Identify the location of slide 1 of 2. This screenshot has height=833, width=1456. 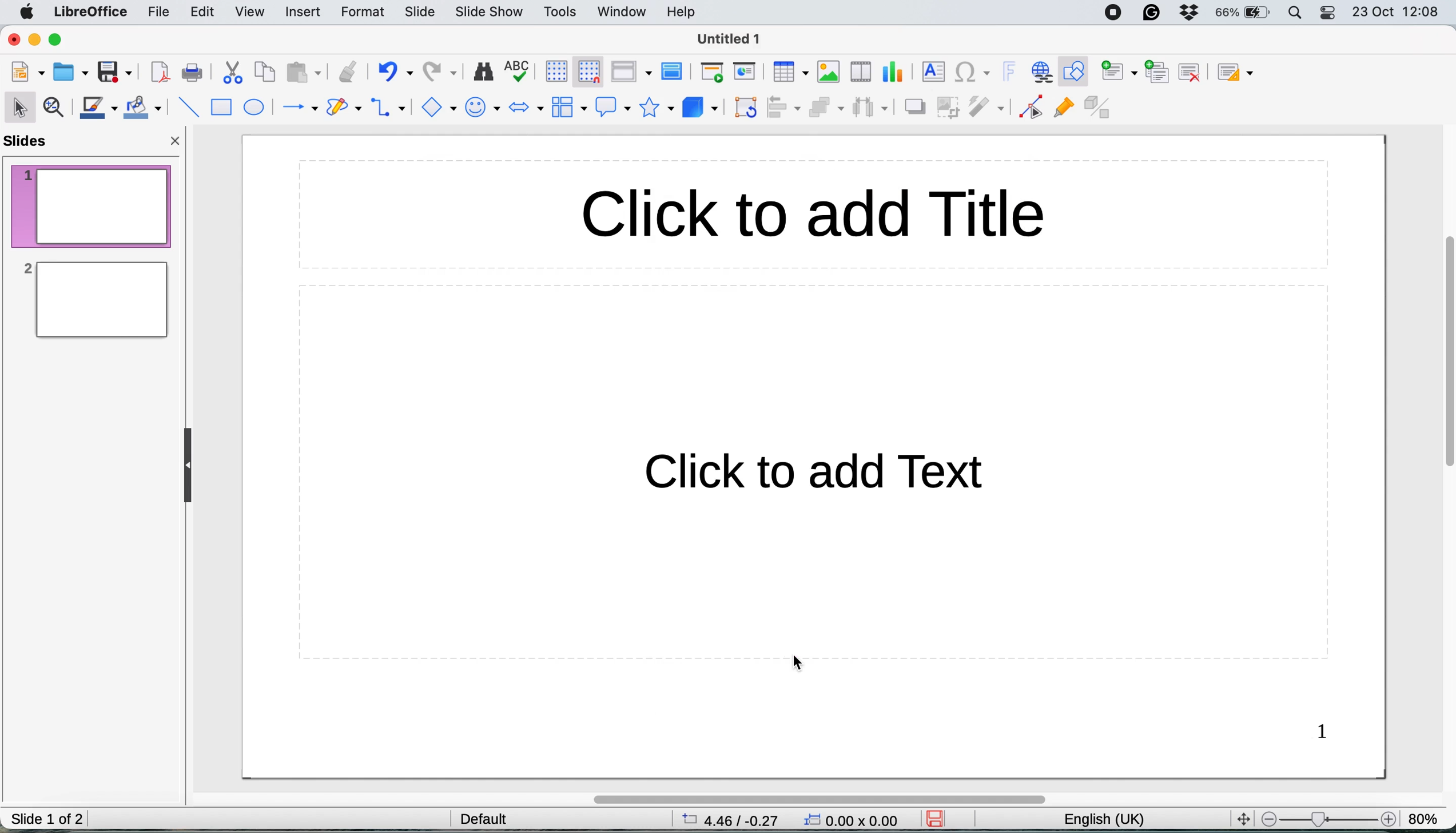
(47, 820).